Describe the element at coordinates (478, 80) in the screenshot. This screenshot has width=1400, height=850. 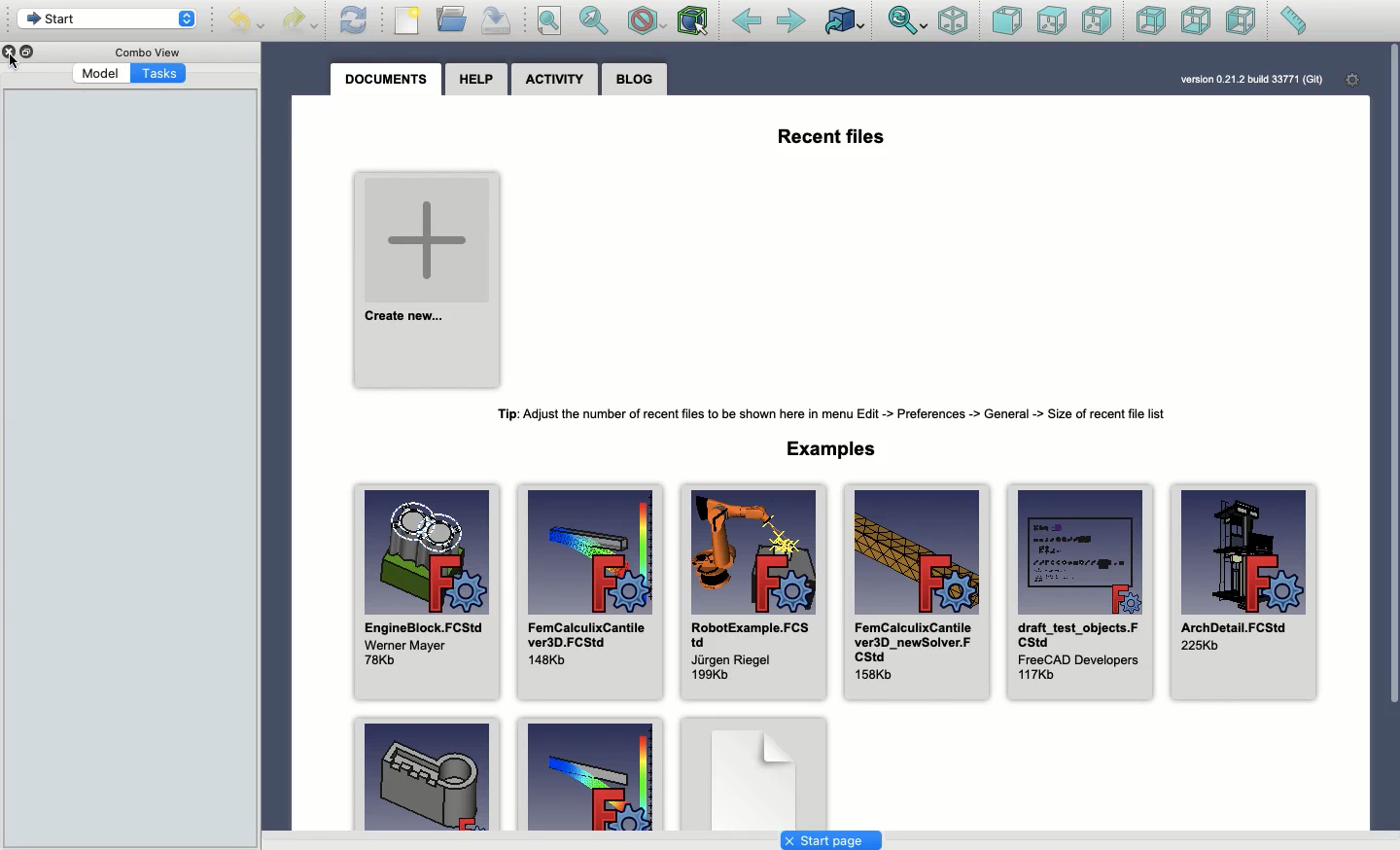
I see `Help` at that location.